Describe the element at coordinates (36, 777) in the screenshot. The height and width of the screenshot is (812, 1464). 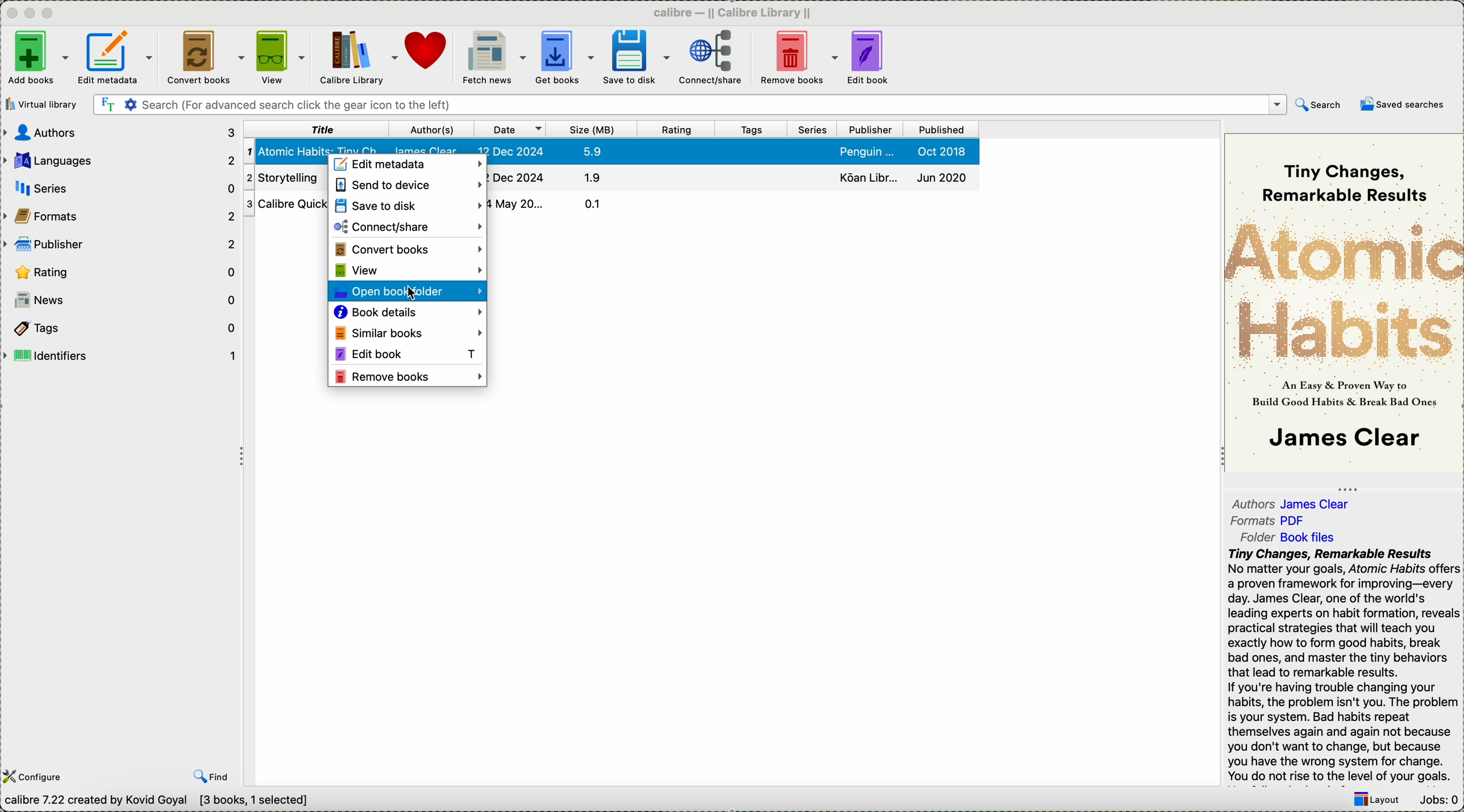
I see `configure` at that location.